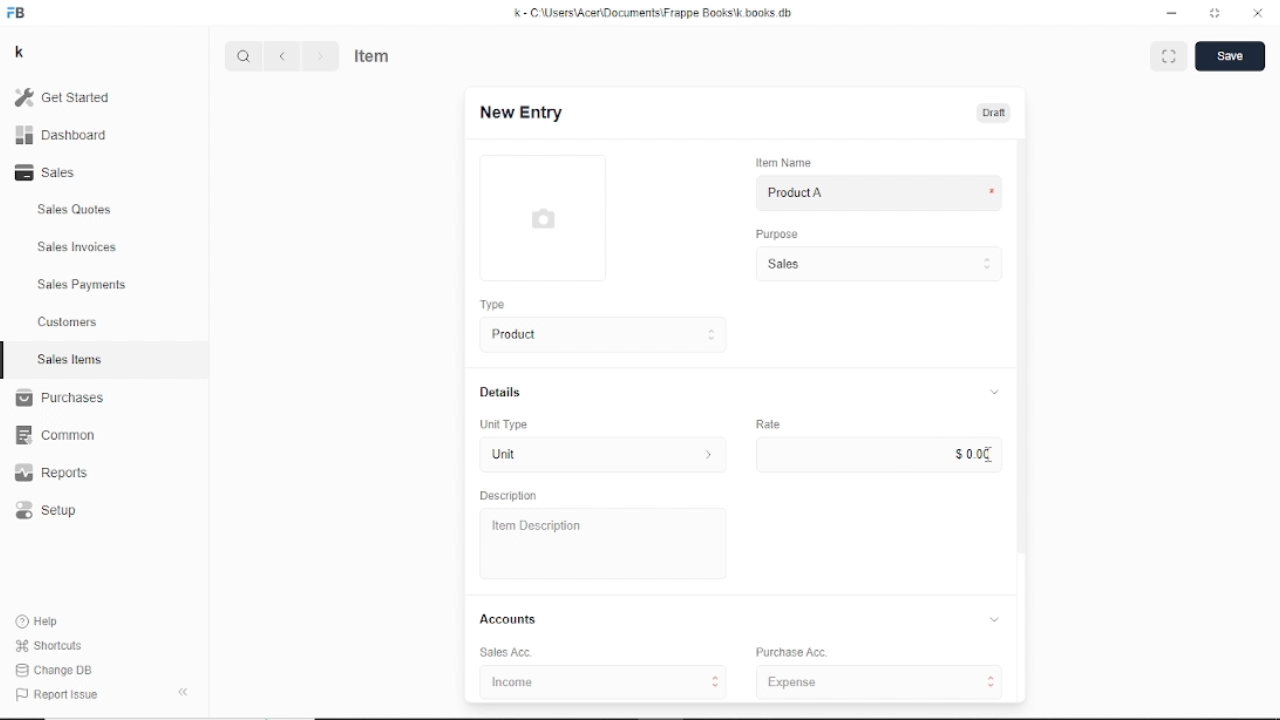  What do you see at coordinates (989, 455) in the screenshot?
I see `Cursor` at bounding box center [989, 455].